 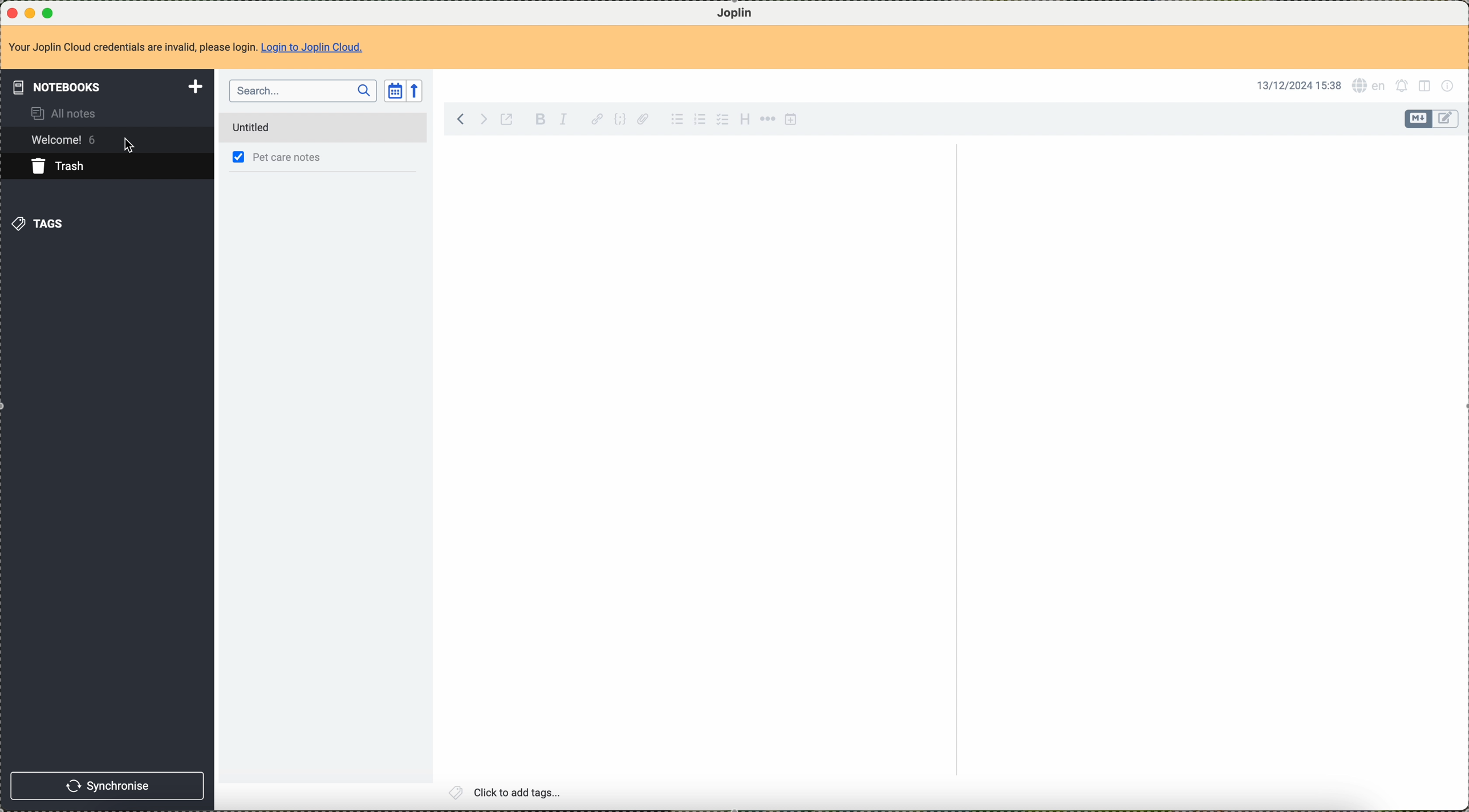 What do you see at coordinates (42, 226) in the screenshot?
I see `tags` at bounding box center [42, 226].